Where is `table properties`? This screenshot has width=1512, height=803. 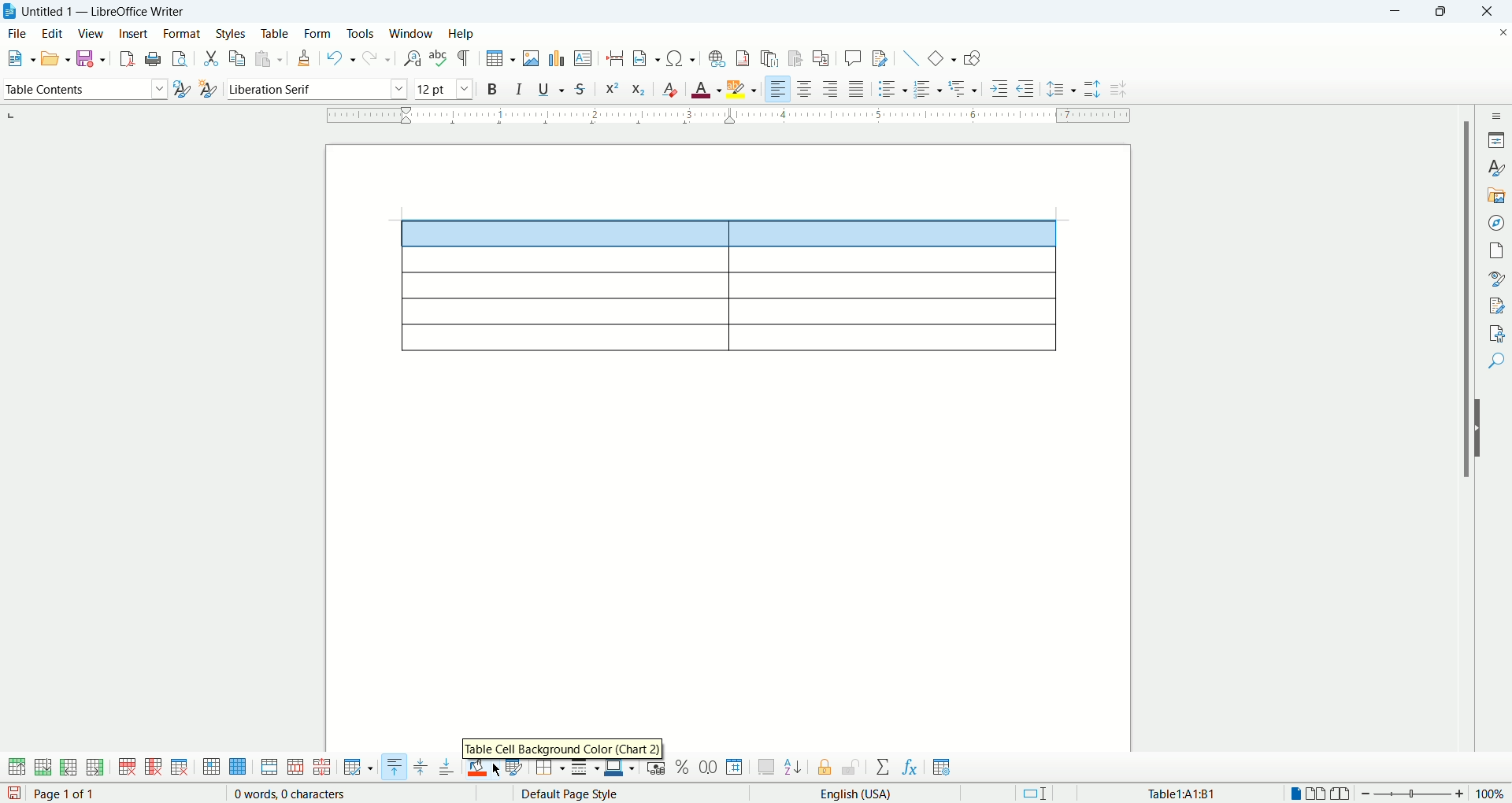
table properties is located at coordinates (942, 768).